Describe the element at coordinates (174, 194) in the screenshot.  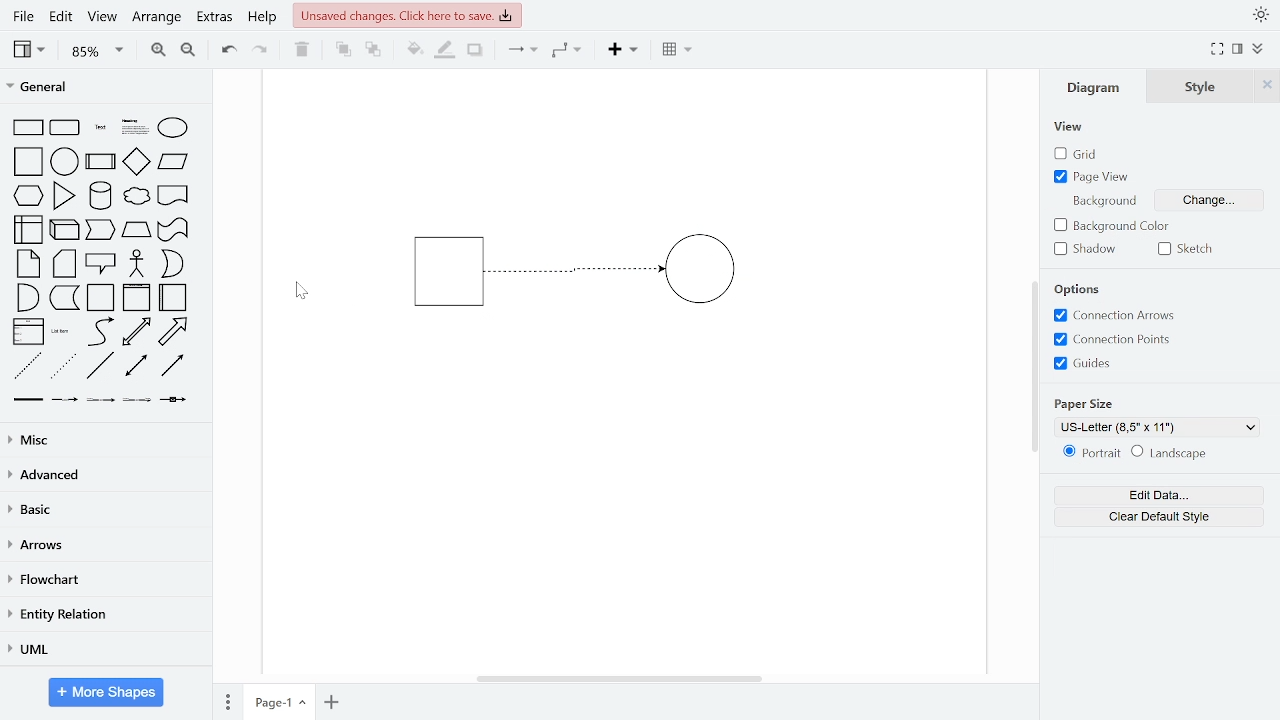
I see `document` at that location.